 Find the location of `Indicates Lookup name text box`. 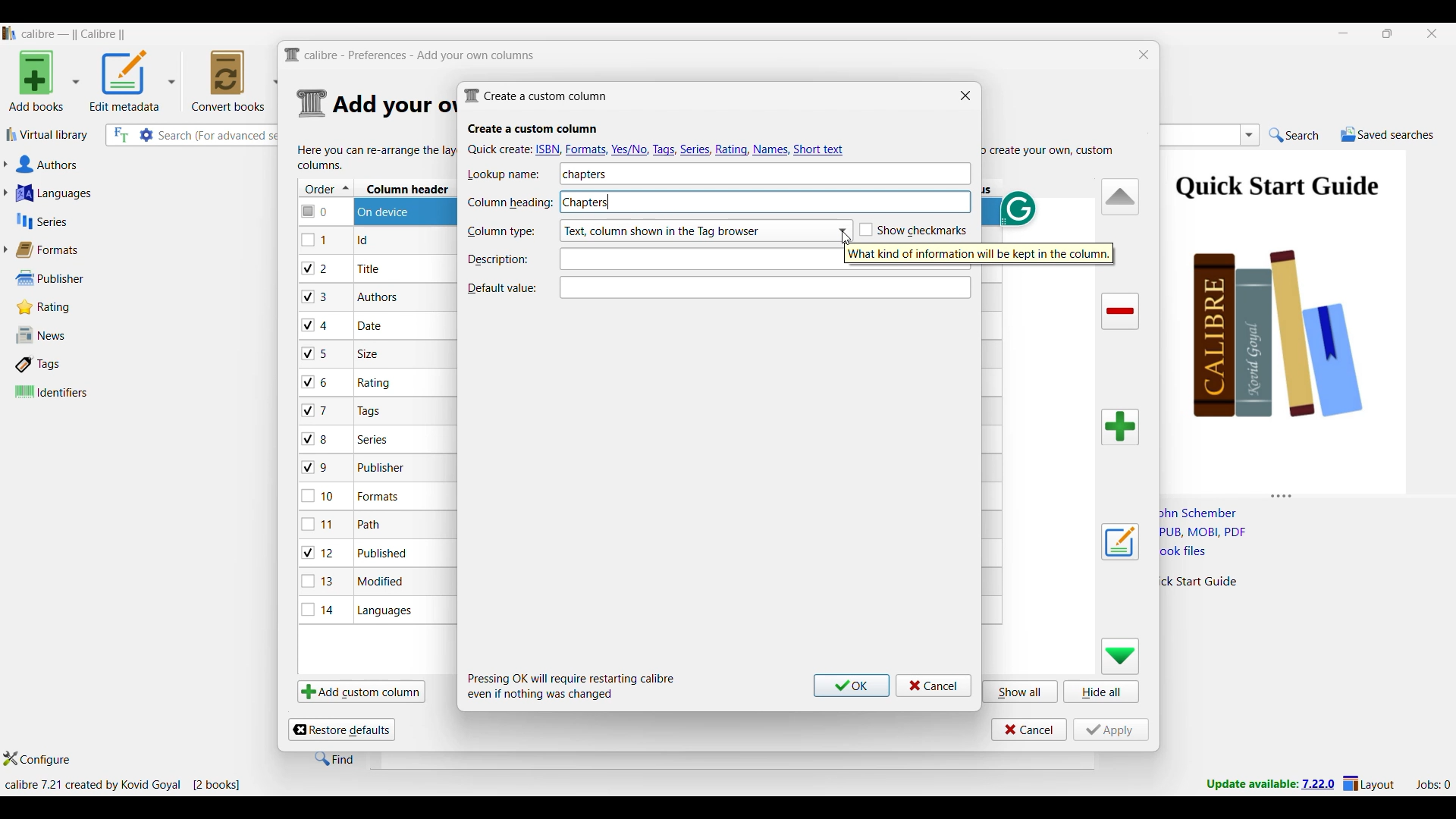

Indicates Lookup name text box is located at coordinates (509, 174).